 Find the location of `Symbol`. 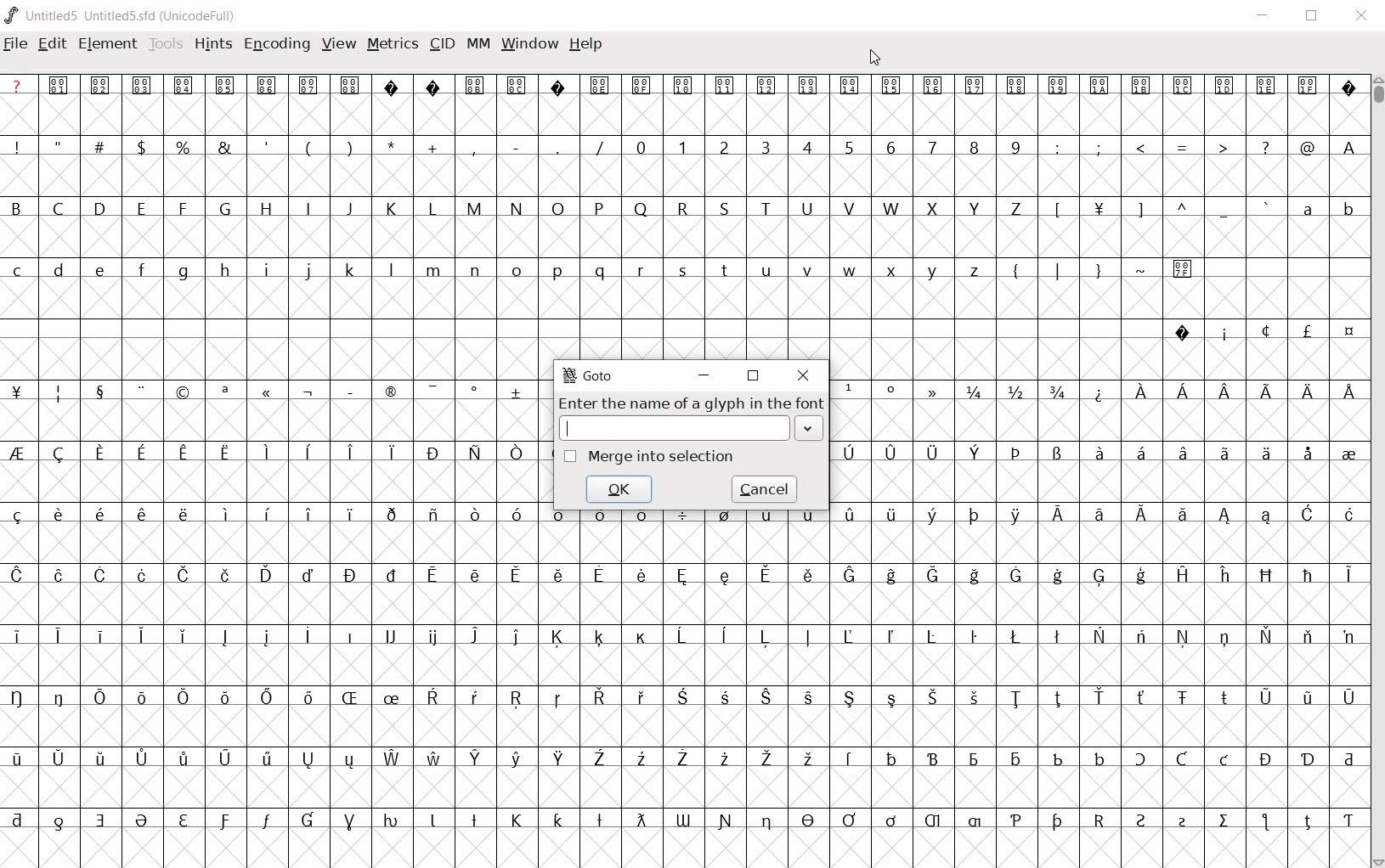

Symbol is located at coordinates (432, 699).